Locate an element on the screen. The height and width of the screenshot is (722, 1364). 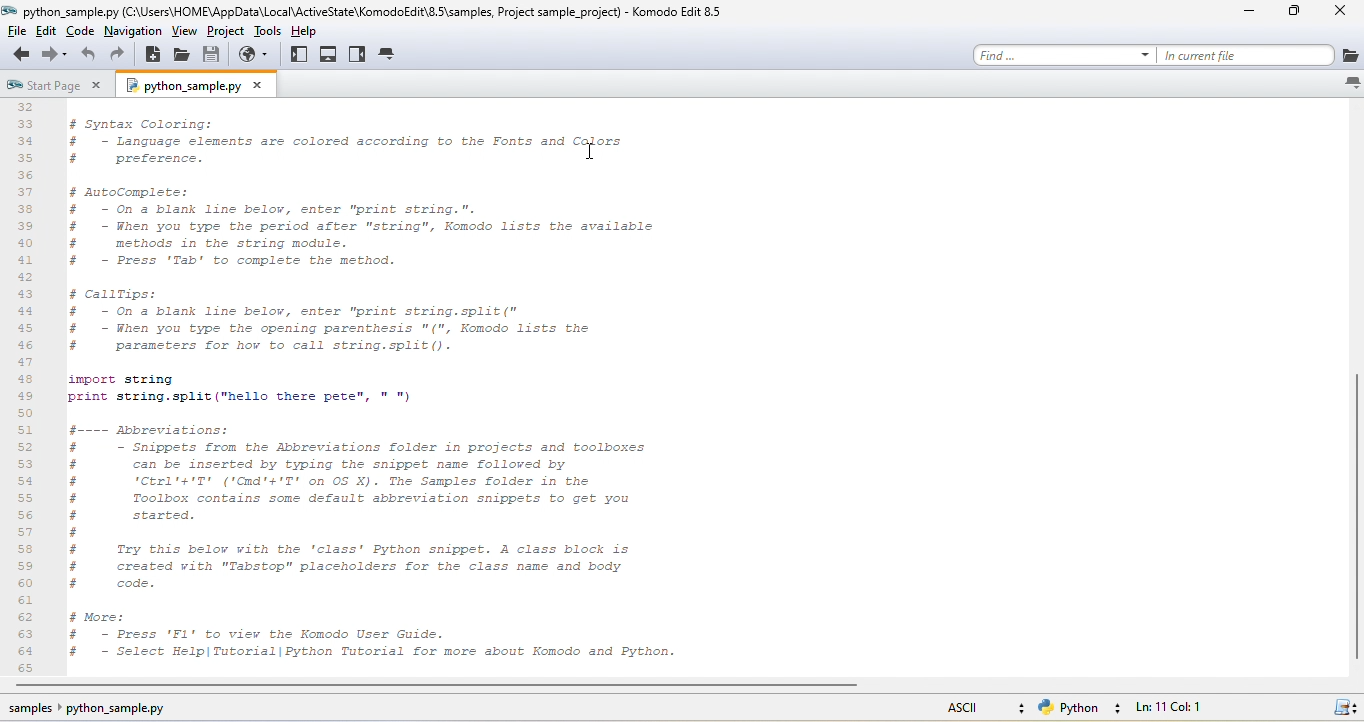
scrolled through file is located at coordinates (664, 385).